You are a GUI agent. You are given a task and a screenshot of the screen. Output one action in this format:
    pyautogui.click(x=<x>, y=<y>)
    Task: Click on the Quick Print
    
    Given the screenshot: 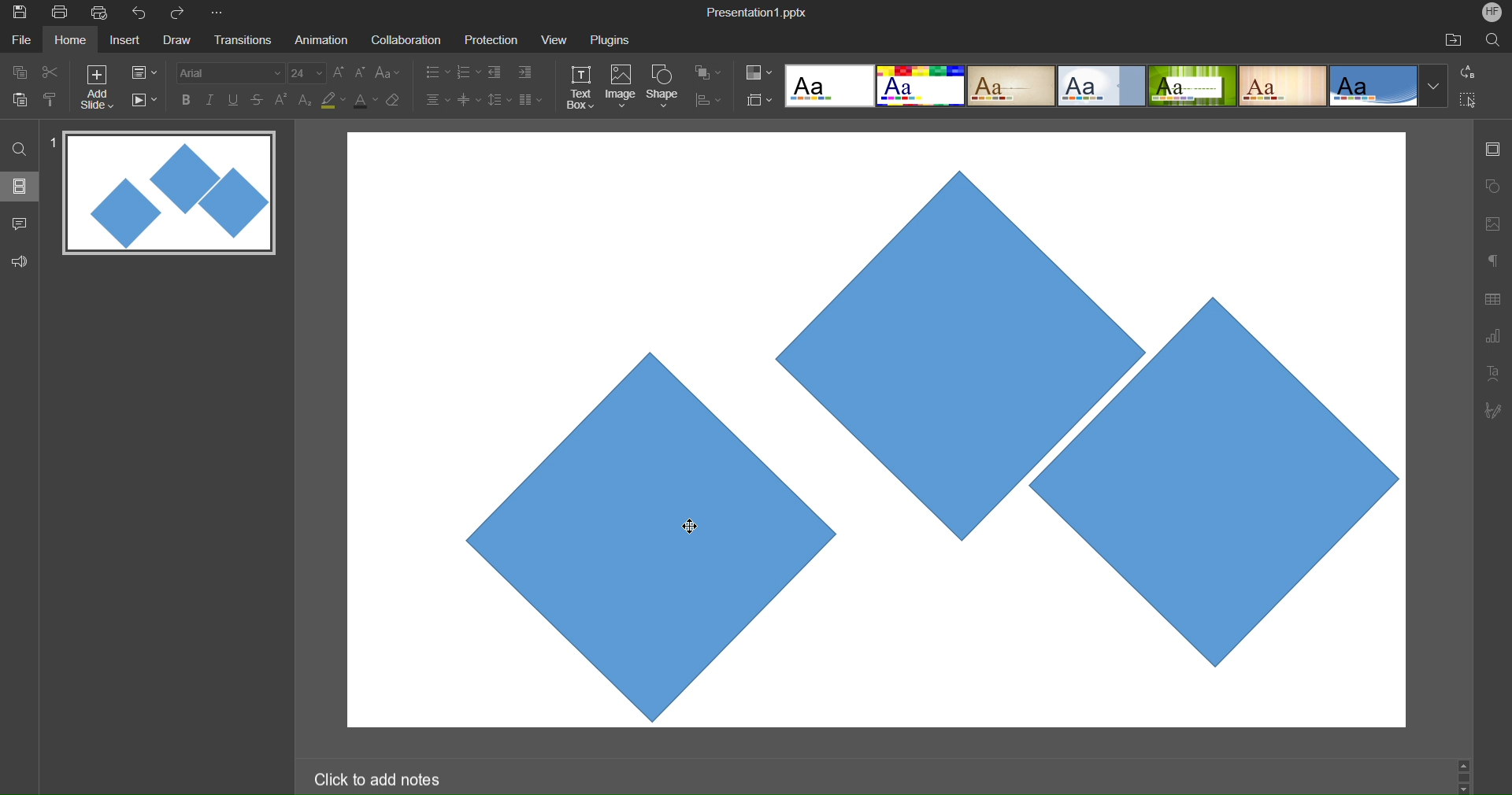 What is the action you would take?
    pyautogui.click(x=102, y=13)
    